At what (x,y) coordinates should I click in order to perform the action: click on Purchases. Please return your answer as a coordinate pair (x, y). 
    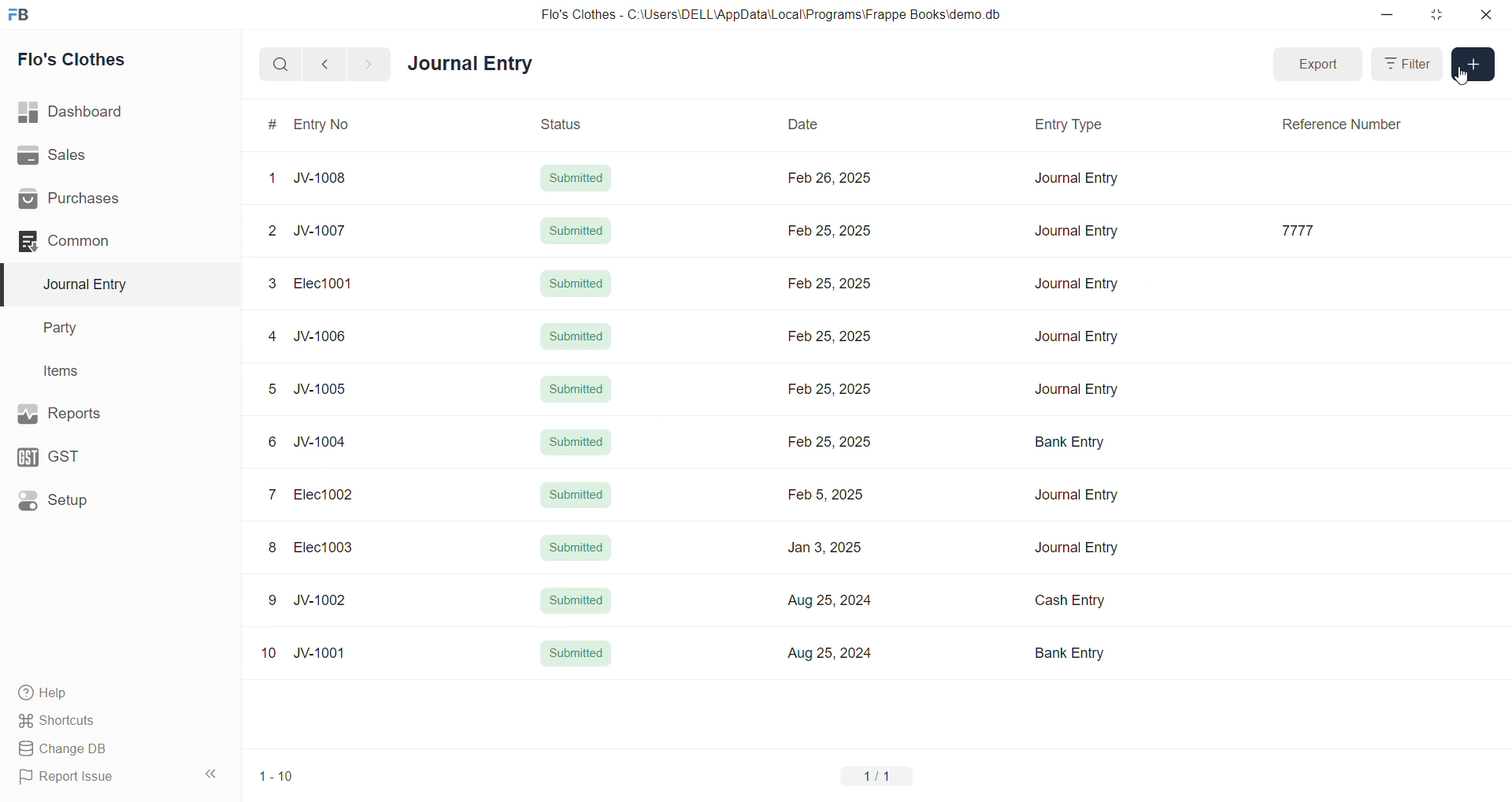
    Looking at the image, I should click on (95, 200).